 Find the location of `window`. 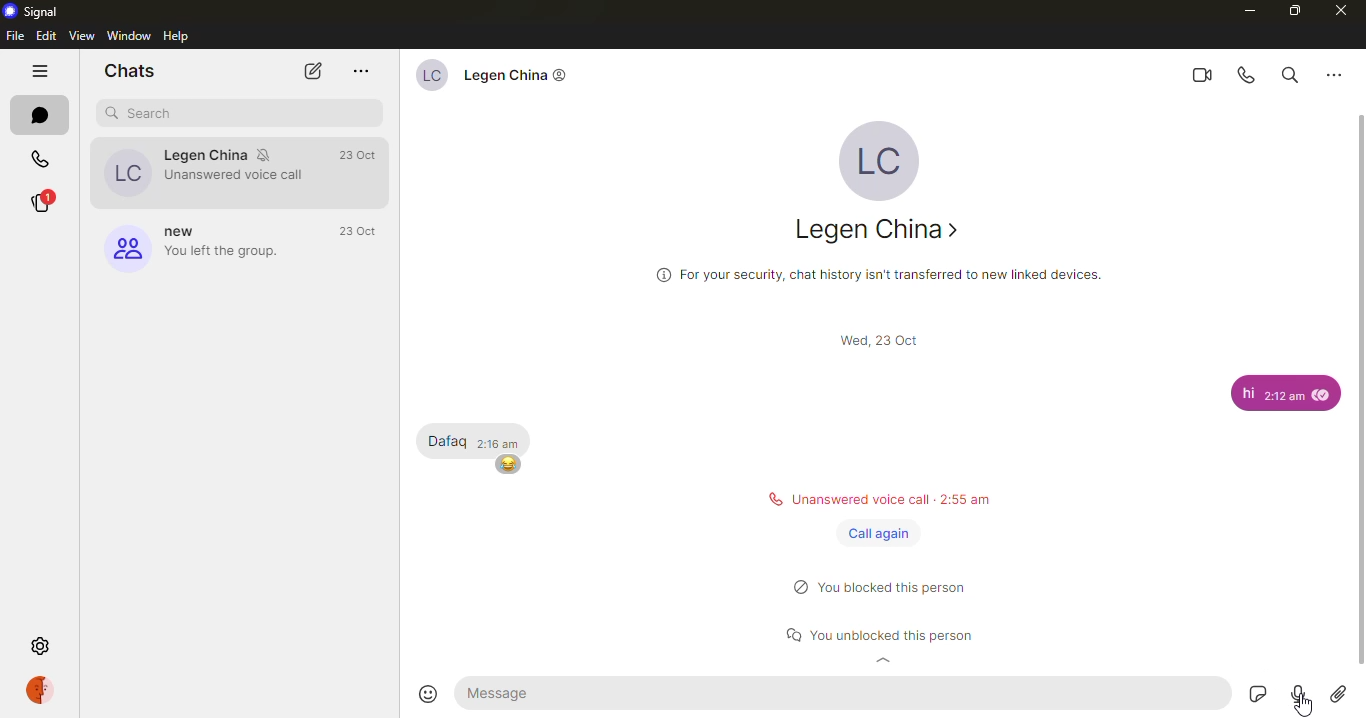

window is located at coordinates (130, 34).